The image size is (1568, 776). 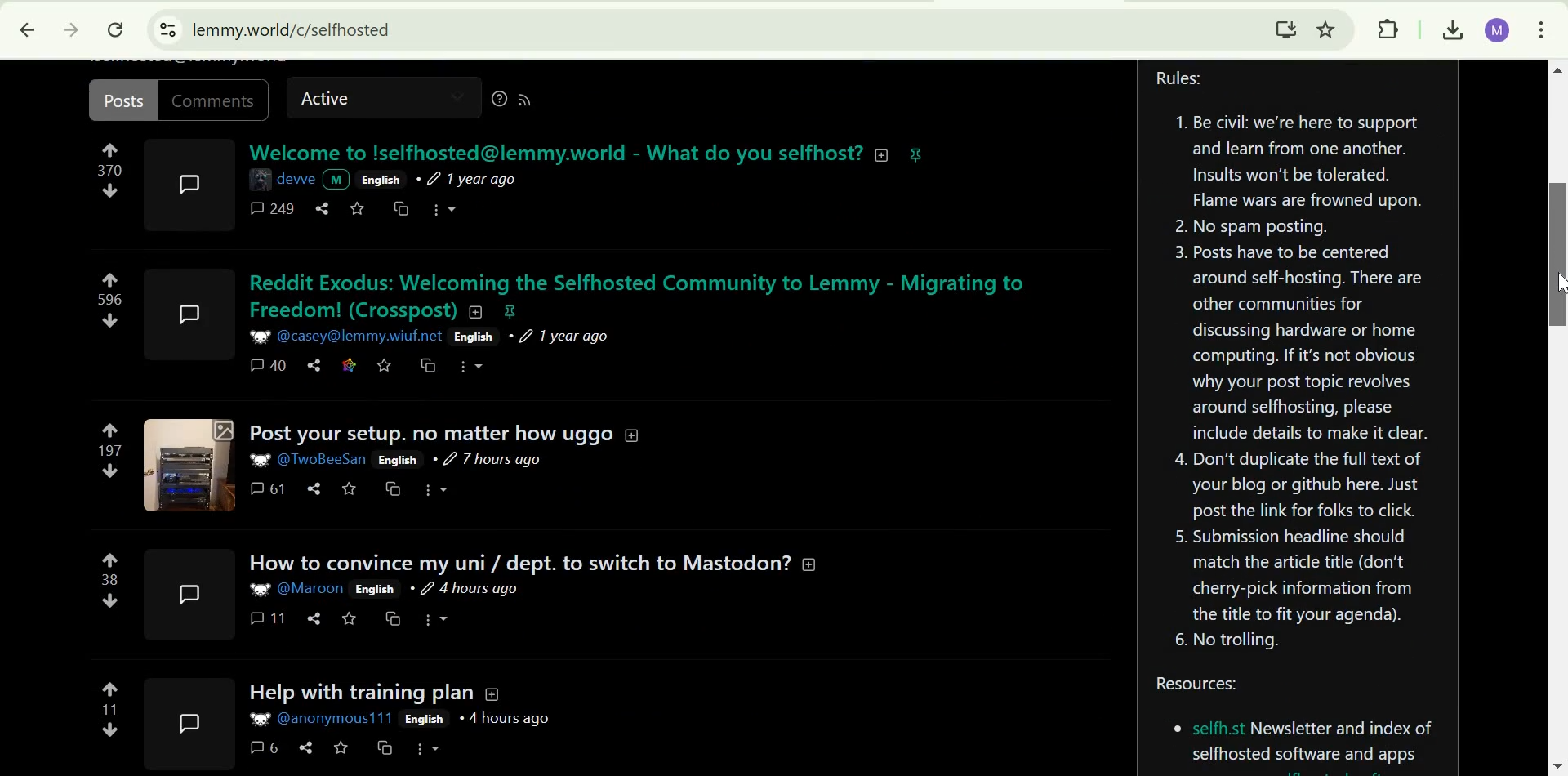 I want to click on 7 hours ago, so click(x=488, y=461).